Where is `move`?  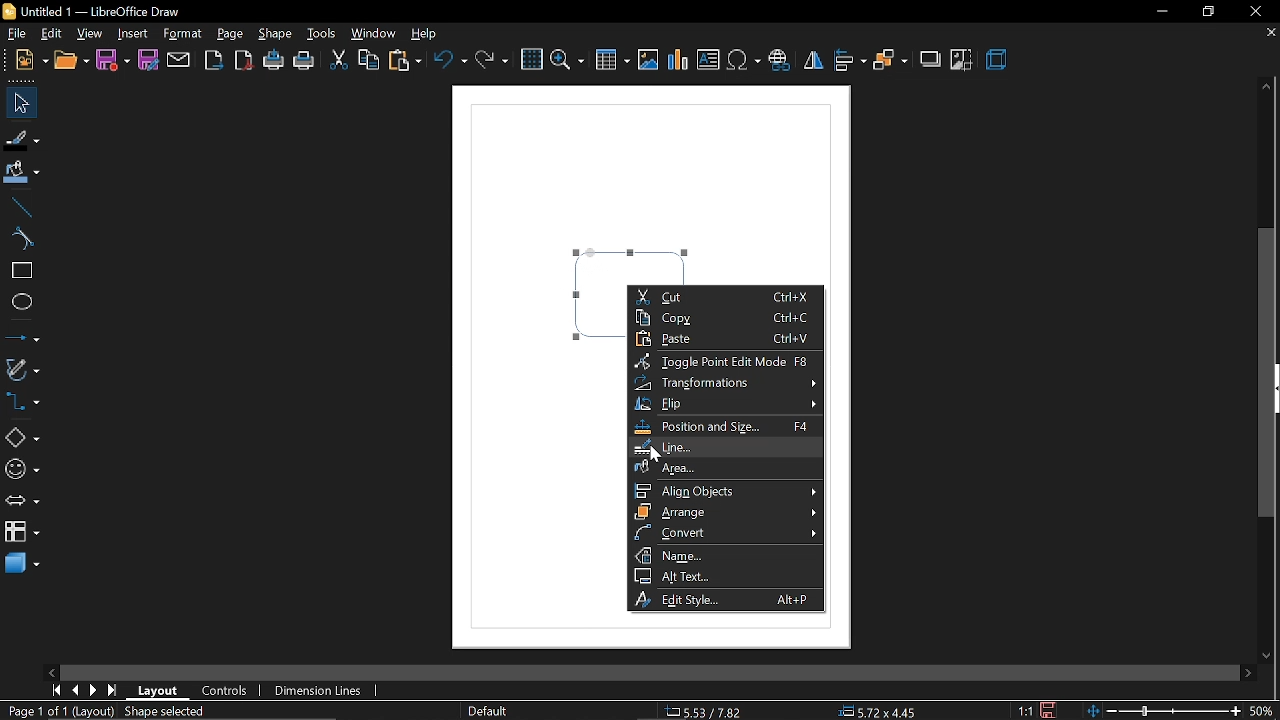
move is located at coordinates (20, 103).